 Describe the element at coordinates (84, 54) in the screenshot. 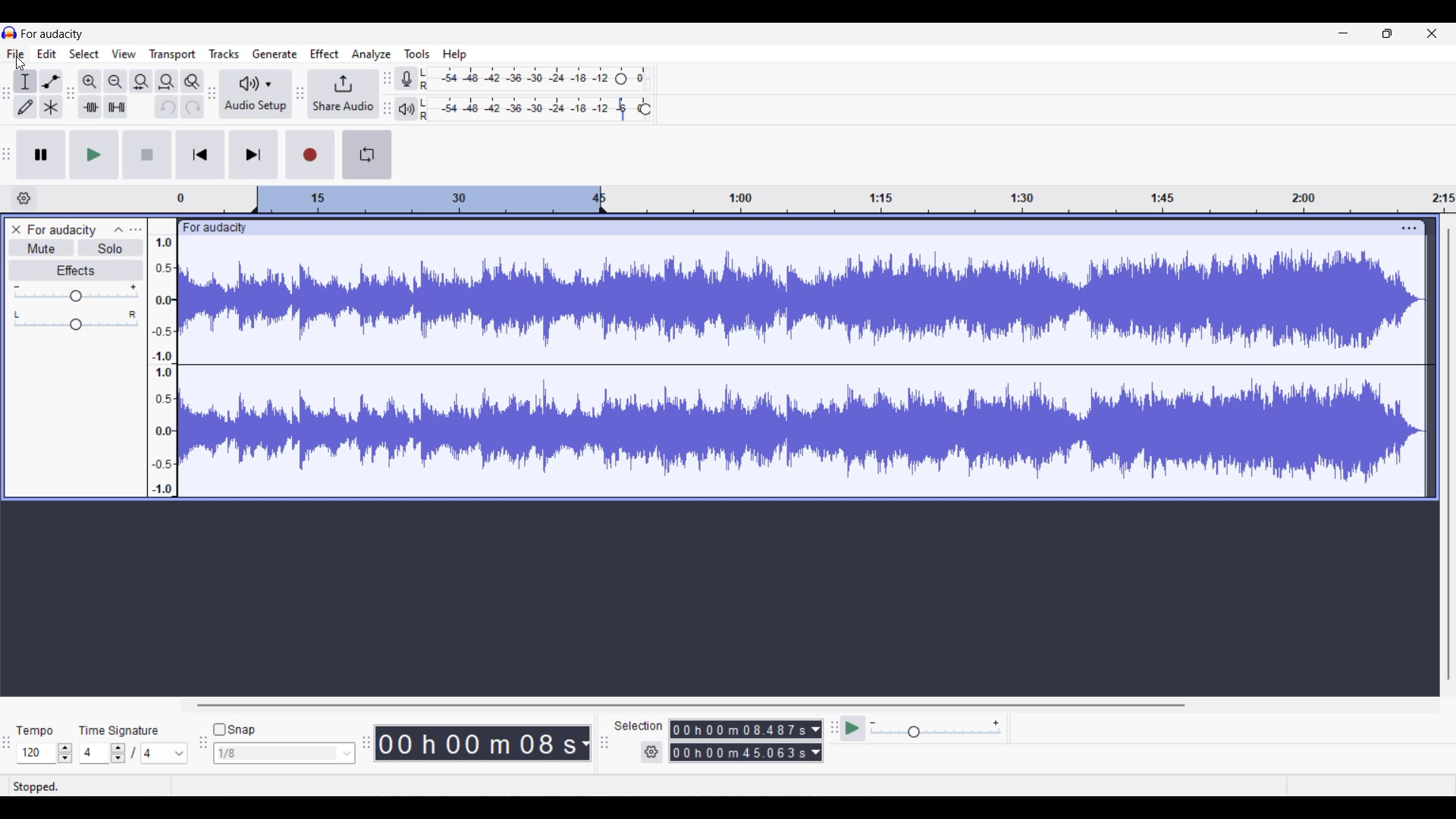

I see `Select menu` at that location.